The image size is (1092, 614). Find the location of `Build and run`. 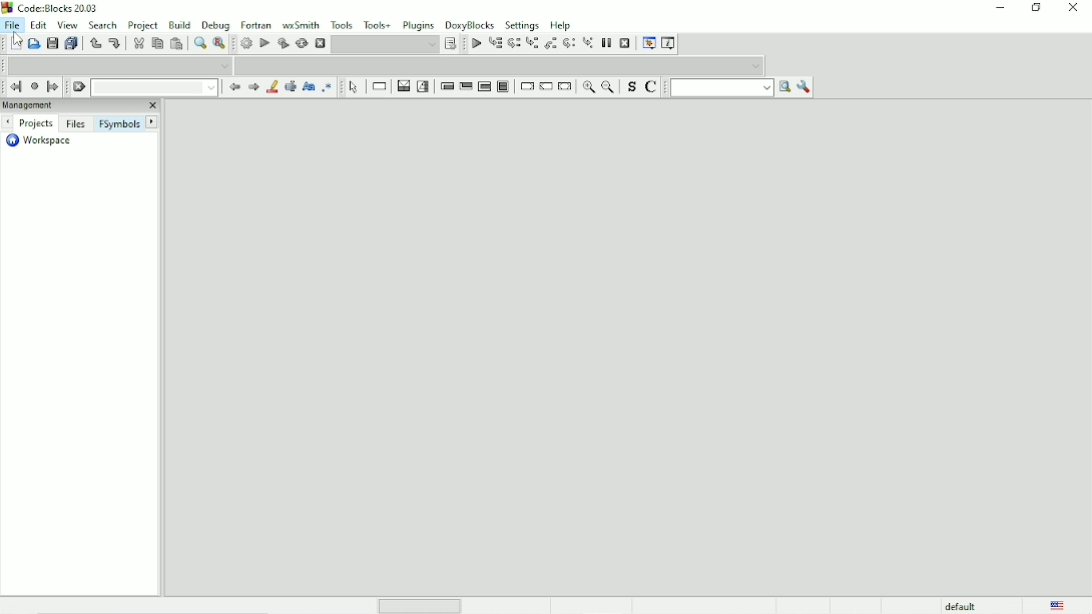

Build and run is located at coordinates (282, 43).